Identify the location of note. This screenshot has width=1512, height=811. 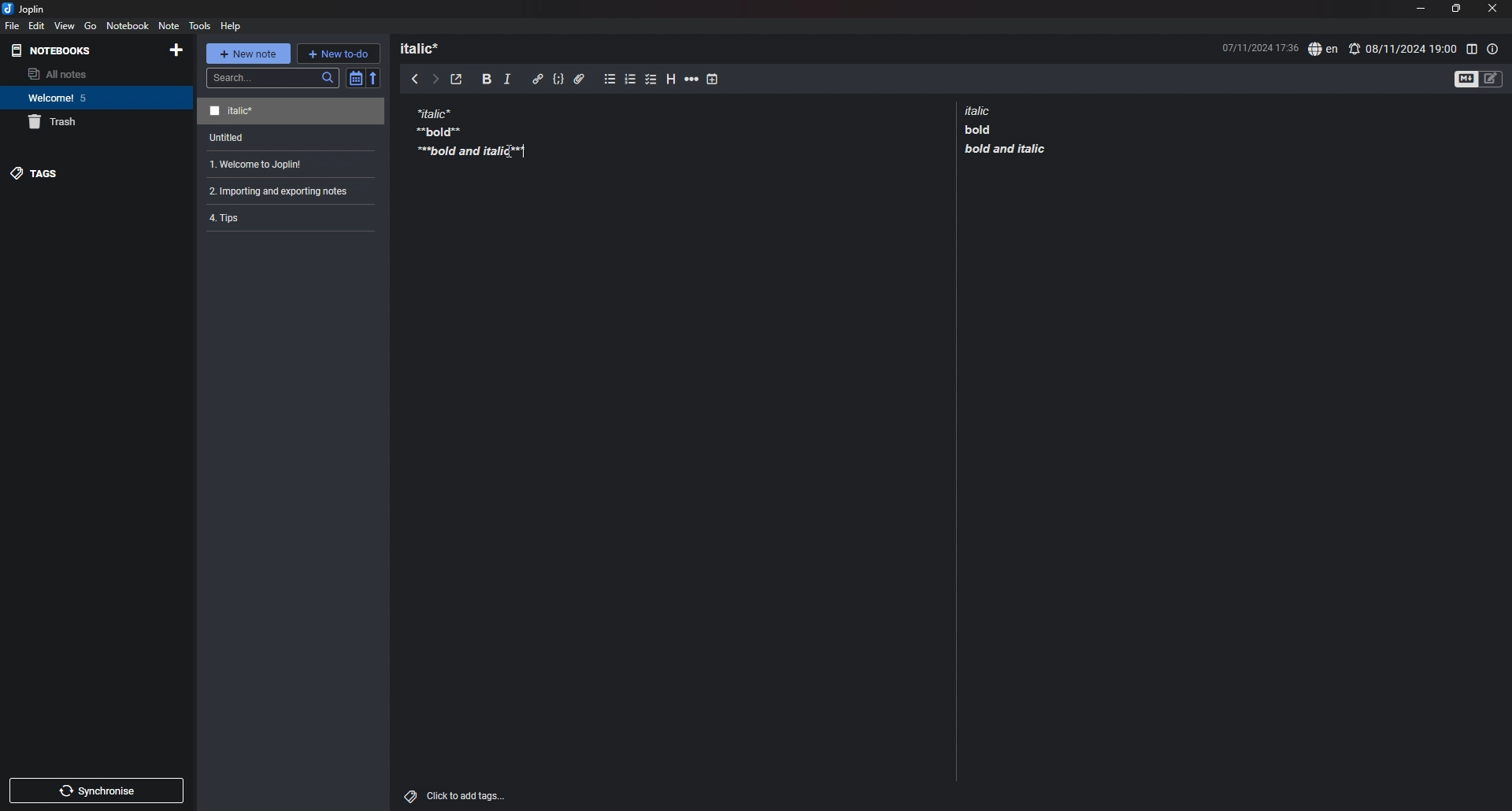
(293, 138).